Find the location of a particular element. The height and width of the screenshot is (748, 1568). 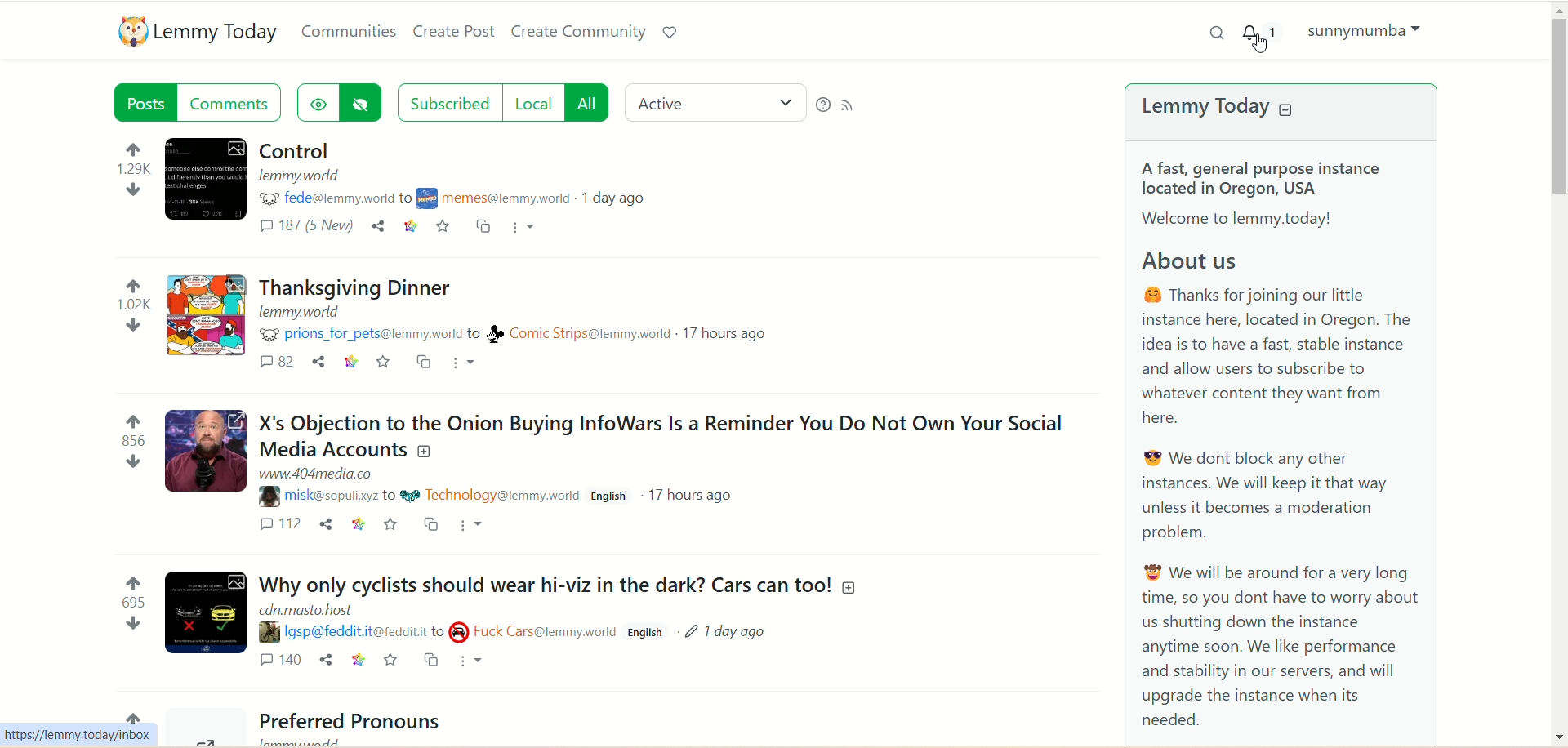

subscribed is located at coordinates (443, 104).